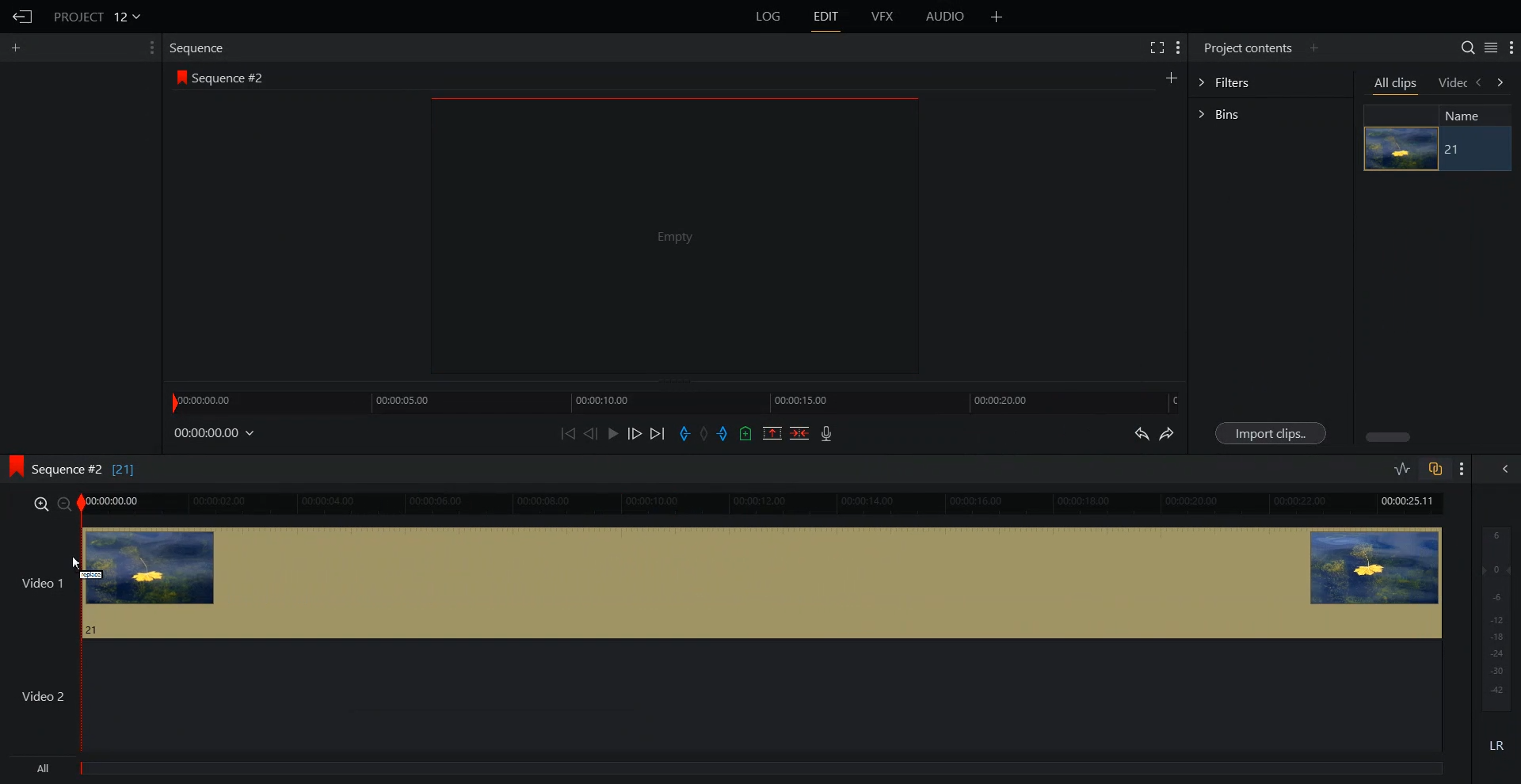  What do you see at coordinates (1490, 47) in the screenshot?
I see `Toggle between list and tile view` at bounding box center [1490, 47].